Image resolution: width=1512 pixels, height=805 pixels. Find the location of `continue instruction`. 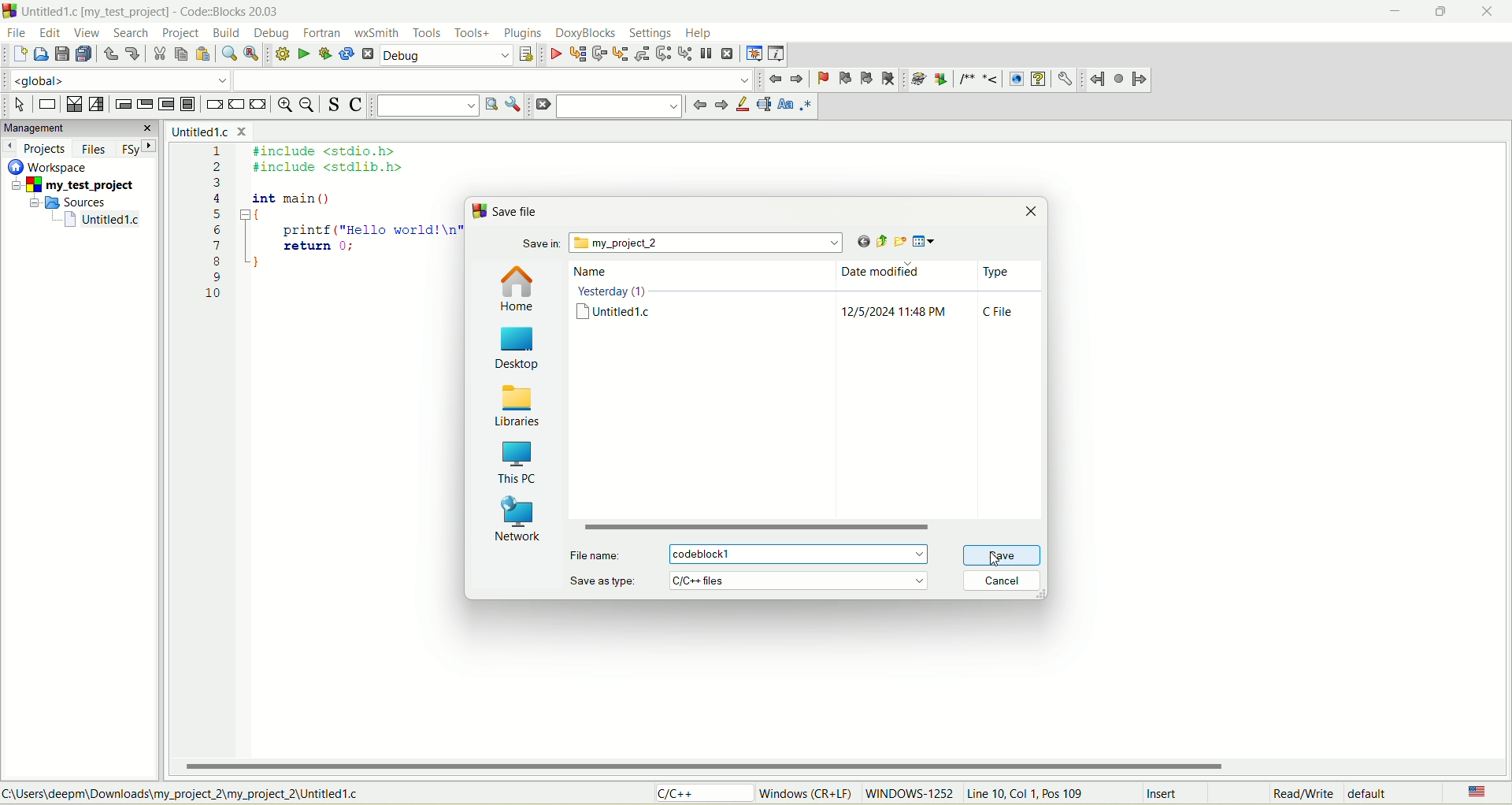

continue instruction is located at coordinates (235, 104).